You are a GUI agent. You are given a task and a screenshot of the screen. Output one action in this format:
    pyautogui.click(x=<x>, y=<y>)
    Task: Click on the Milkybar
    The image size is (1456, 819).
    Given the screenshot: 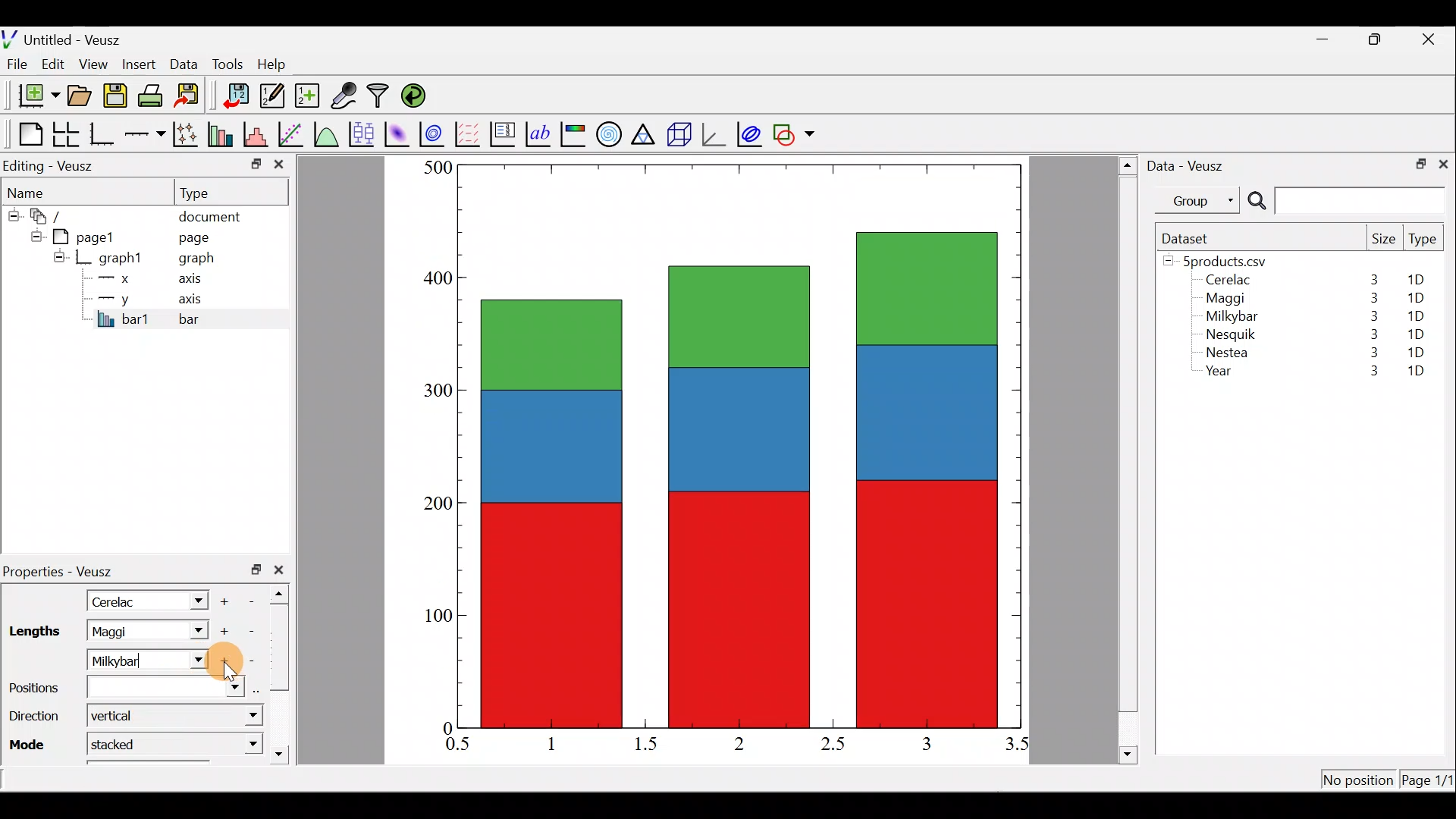 What is the action you would take?
    pyautogui.click(x=1228, y=318)
    